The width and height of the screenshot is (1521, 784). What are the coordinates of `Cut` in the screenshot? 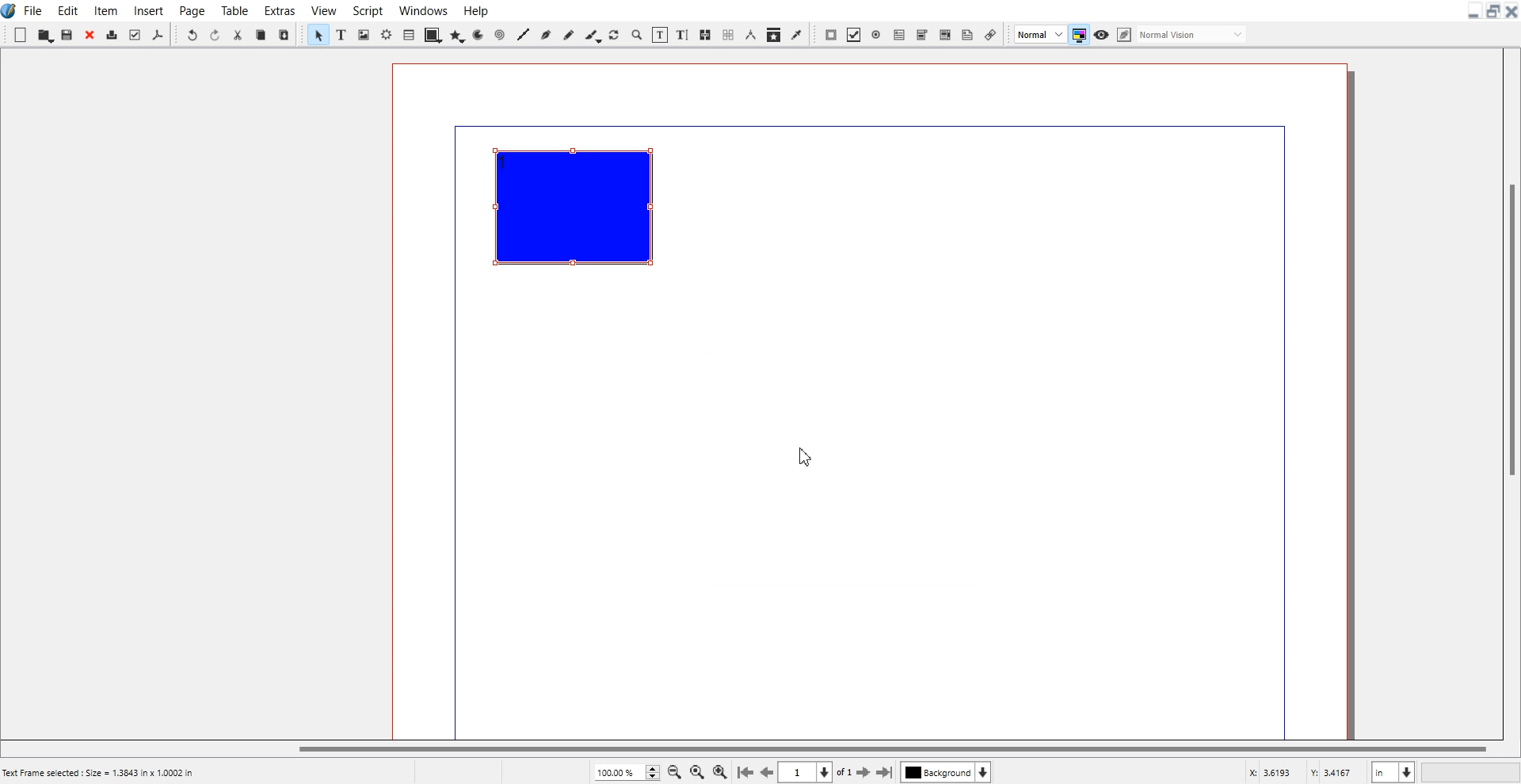 It's located at (238, 33).